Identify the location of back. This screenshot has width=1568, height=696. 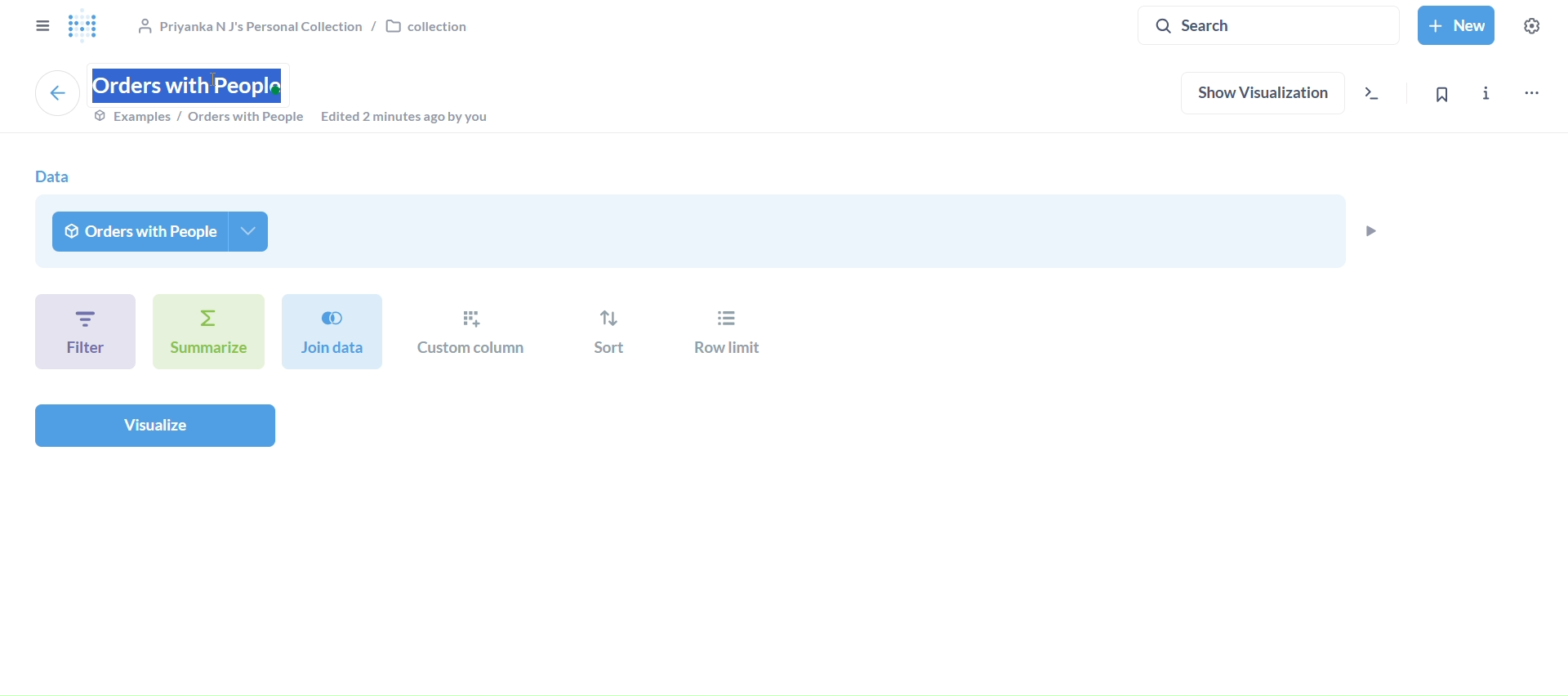
(57, 92).